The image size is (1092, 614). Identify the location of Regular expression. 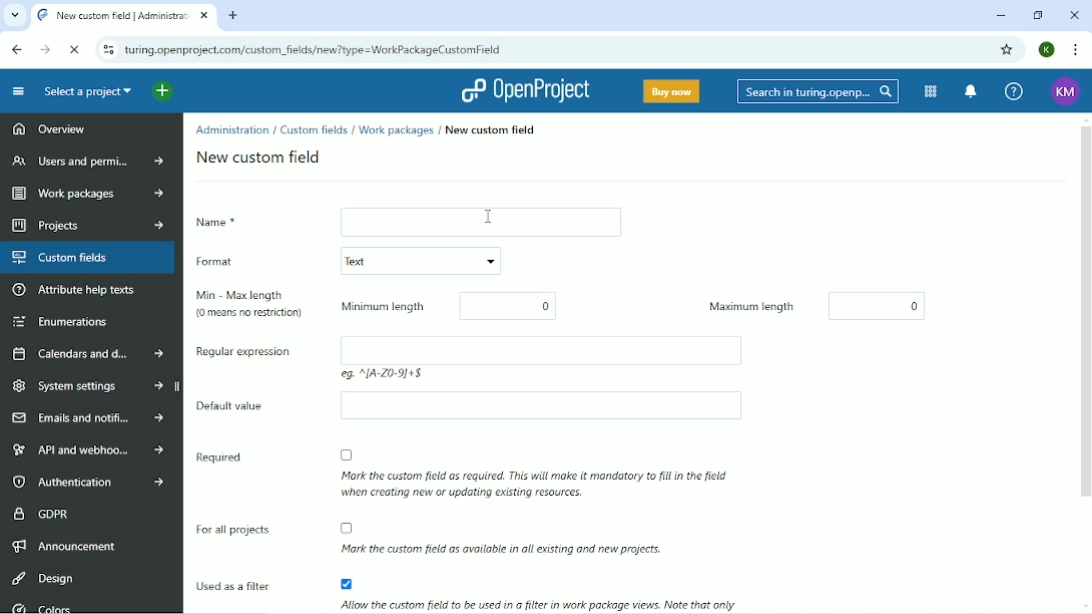
(253, 361).